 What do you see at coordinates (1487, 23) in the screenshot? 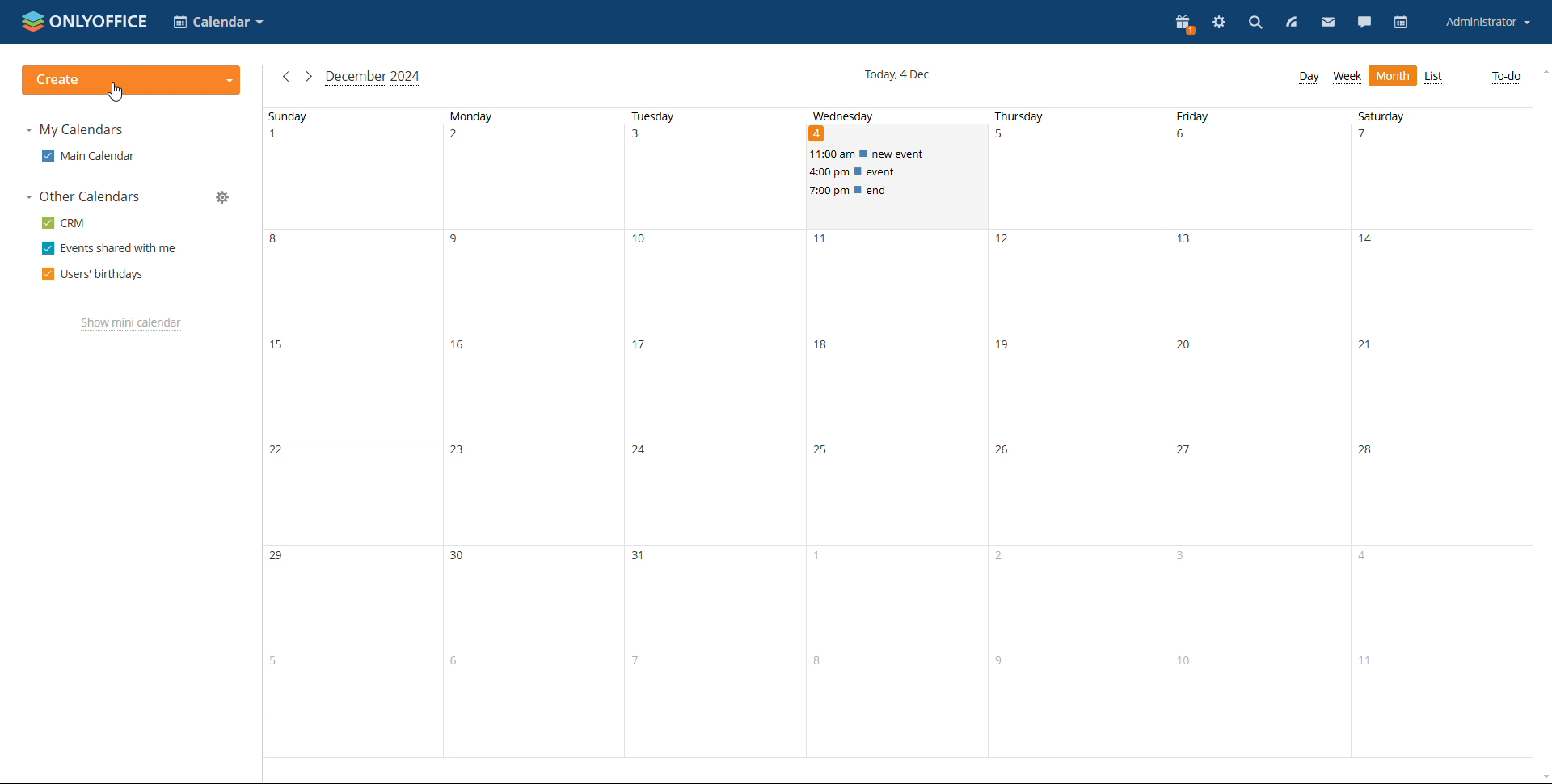
I see `account` at bounding box center [1487, 23].